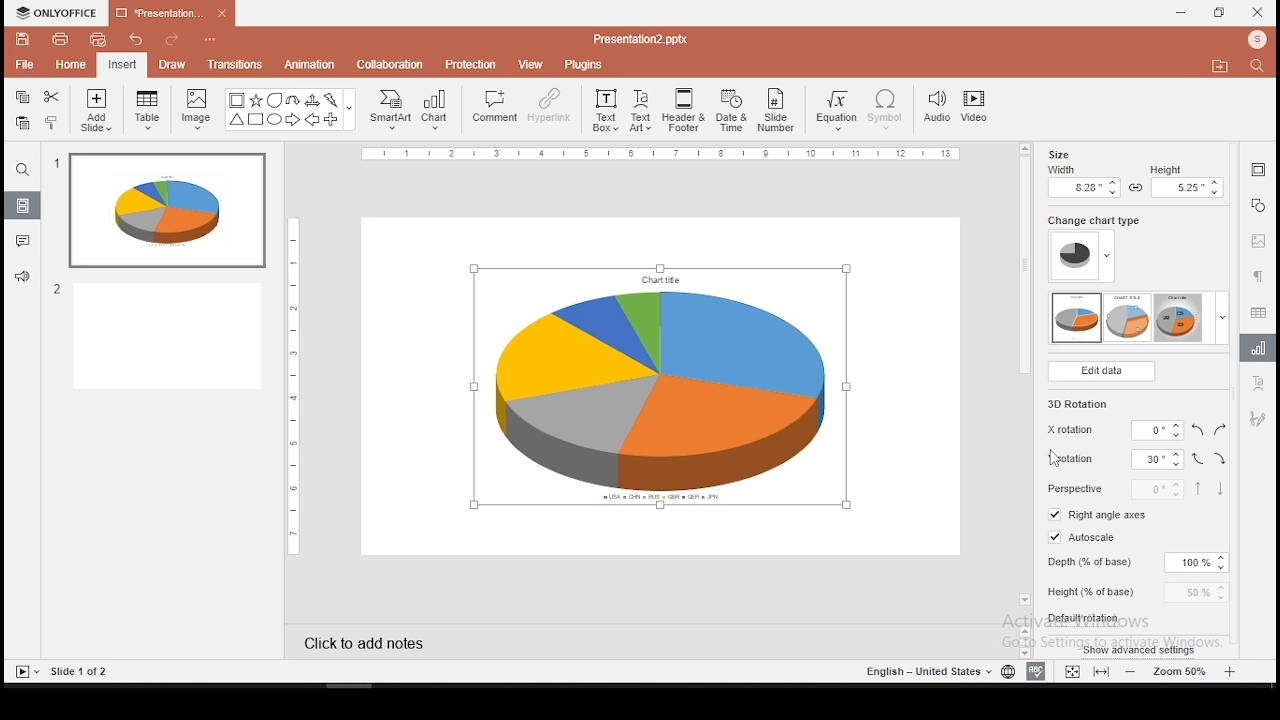  Describe the element at coordinates (1081, 257) in the screenshot. I see `change chart type` at that location.